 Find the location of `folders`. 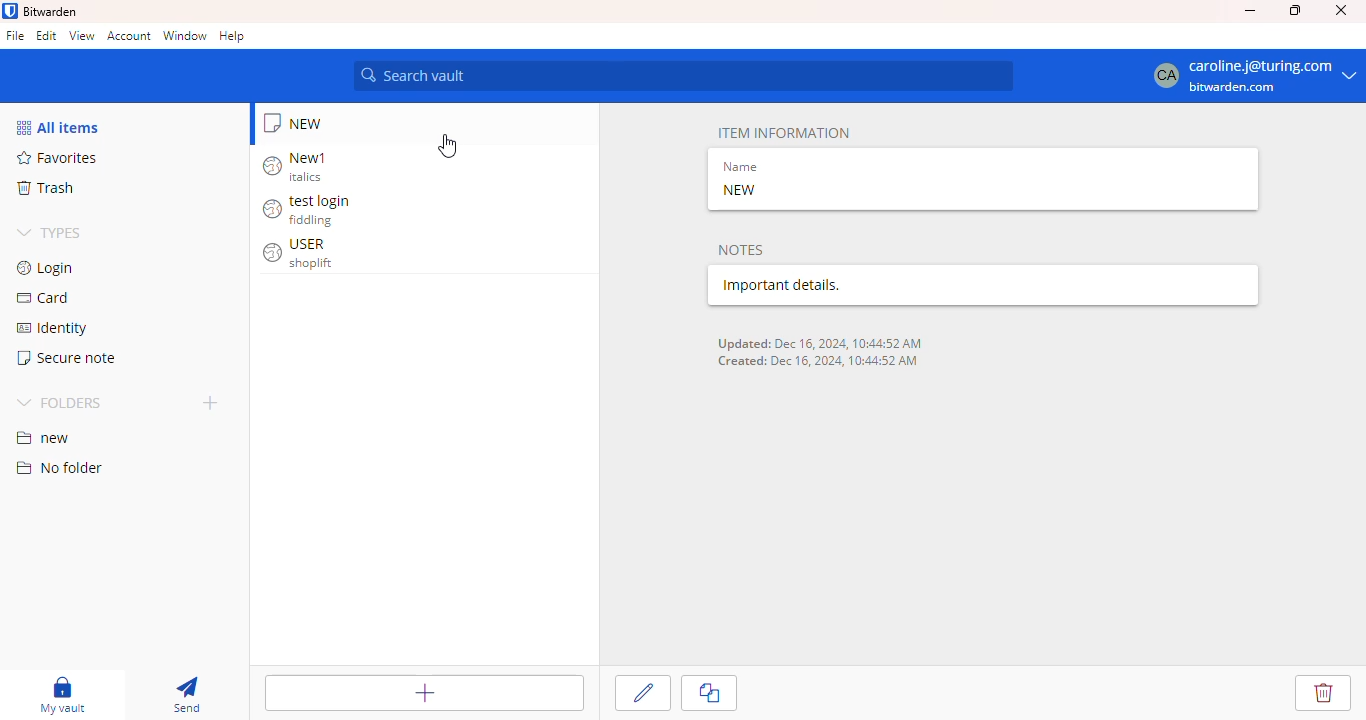

folders is located at coordinates (58, 402).